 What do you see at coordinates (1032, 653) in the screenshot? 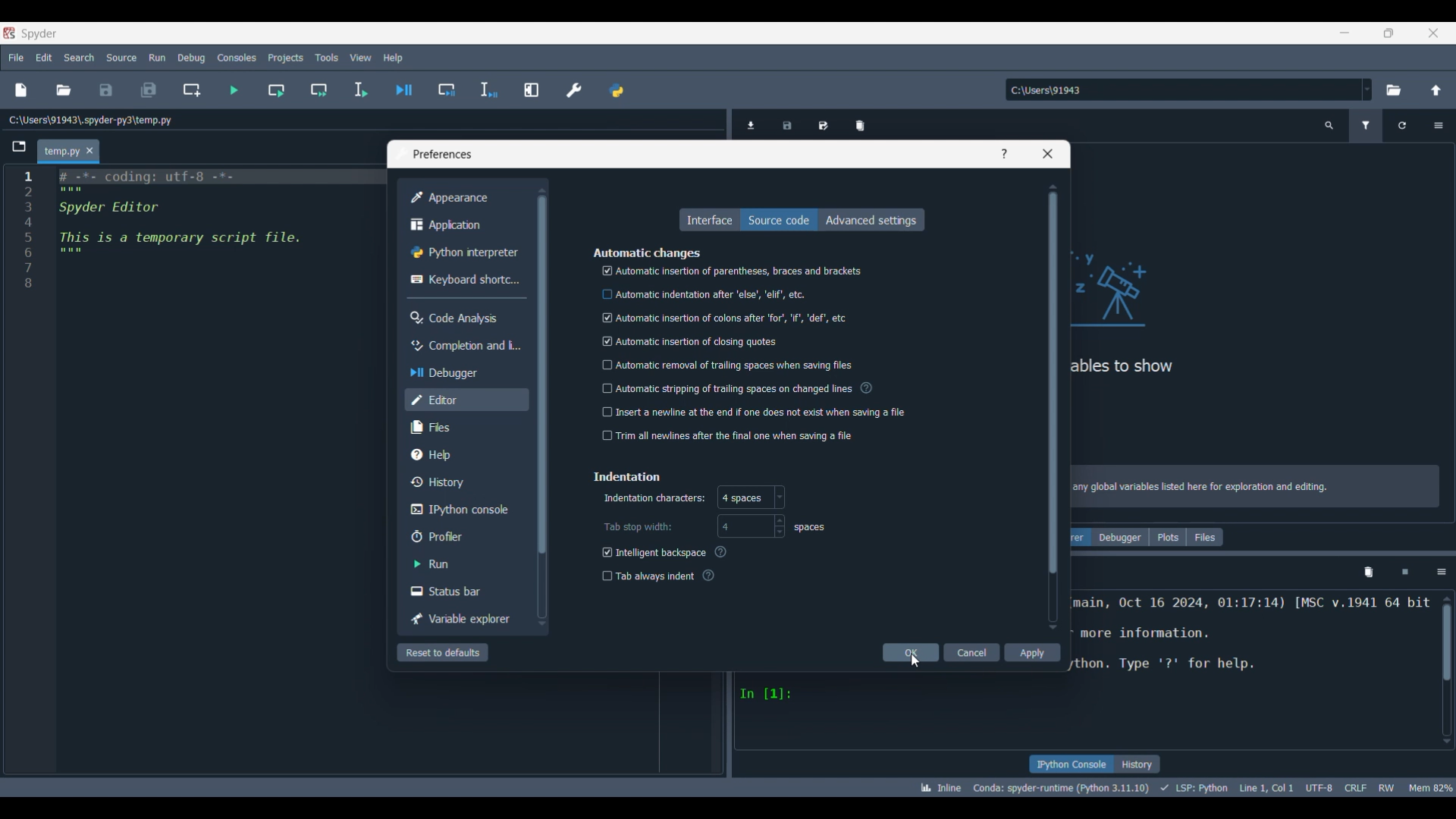
I see `Apply` at bounding box center [1032, 653].